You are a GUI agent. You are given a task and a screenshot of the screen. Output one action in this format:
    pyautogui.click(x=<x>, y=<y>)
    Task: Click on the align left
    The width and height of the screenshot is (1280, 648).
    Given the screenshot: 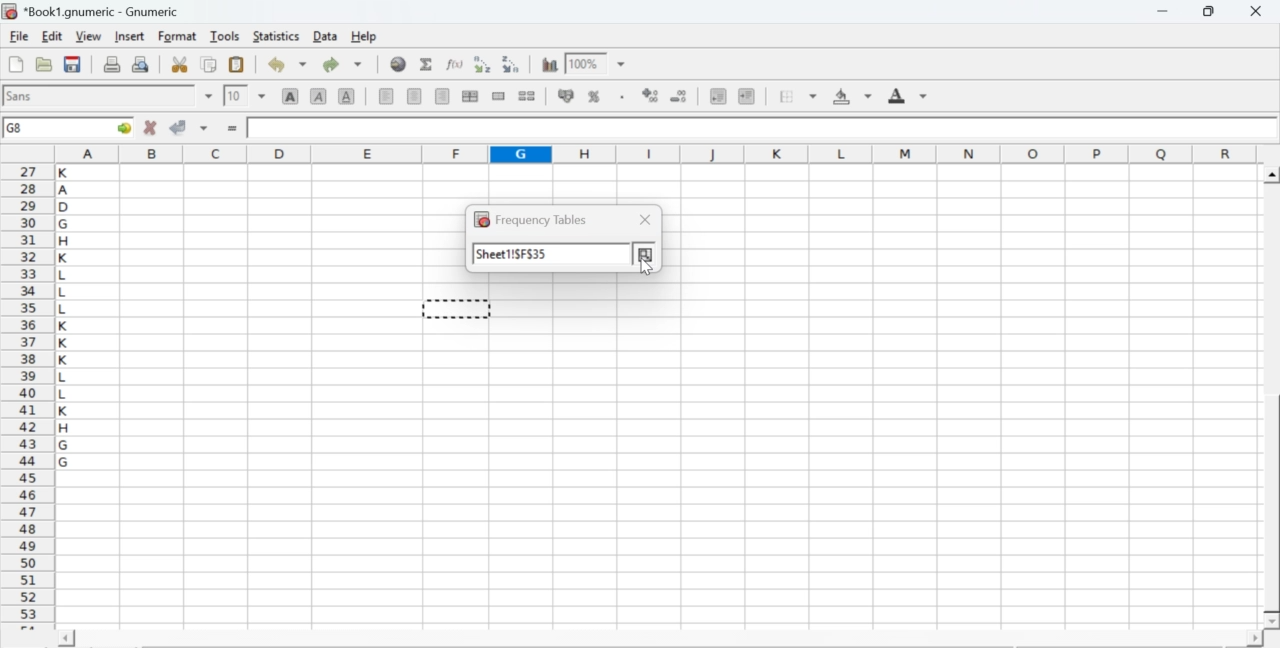 What is the action you would take?
    pyautogui.click(x=386, y=94)
    